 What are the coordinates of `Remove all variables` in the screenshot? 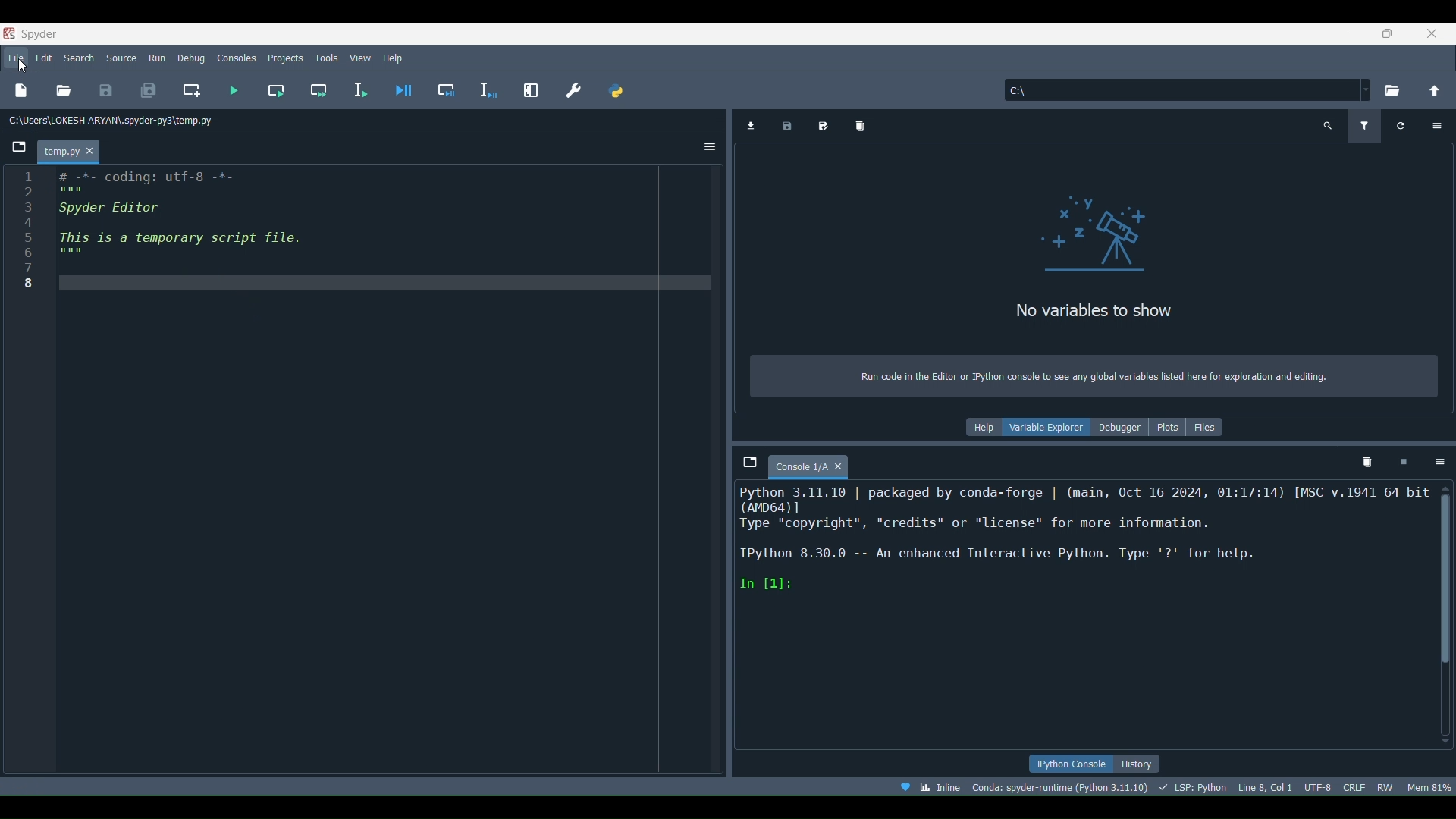 It's located at (858, 124).